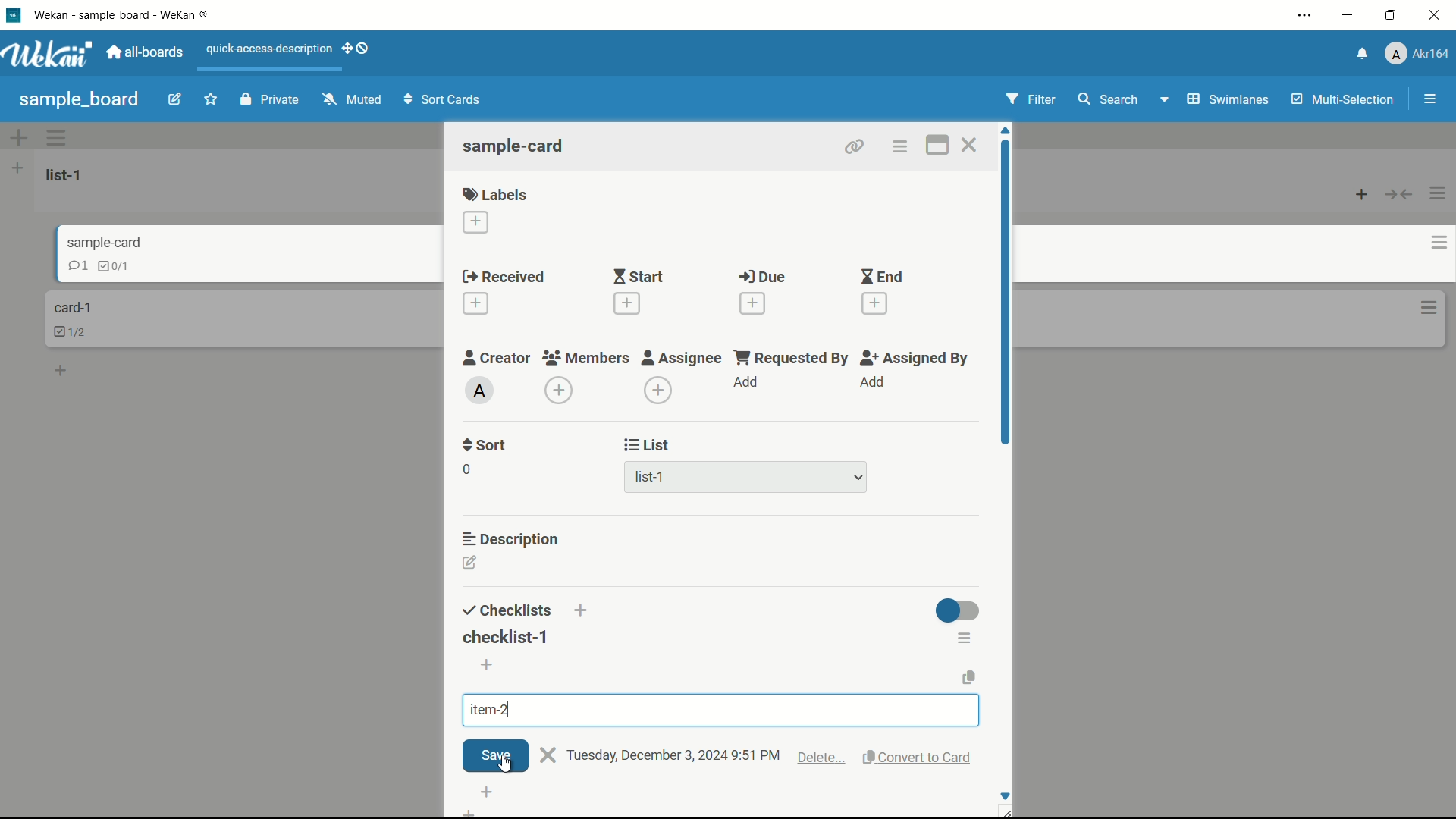 Image resolution: width=1456 pixels, height=819 pixels. I want to click on convert to card, so click(921, 758).